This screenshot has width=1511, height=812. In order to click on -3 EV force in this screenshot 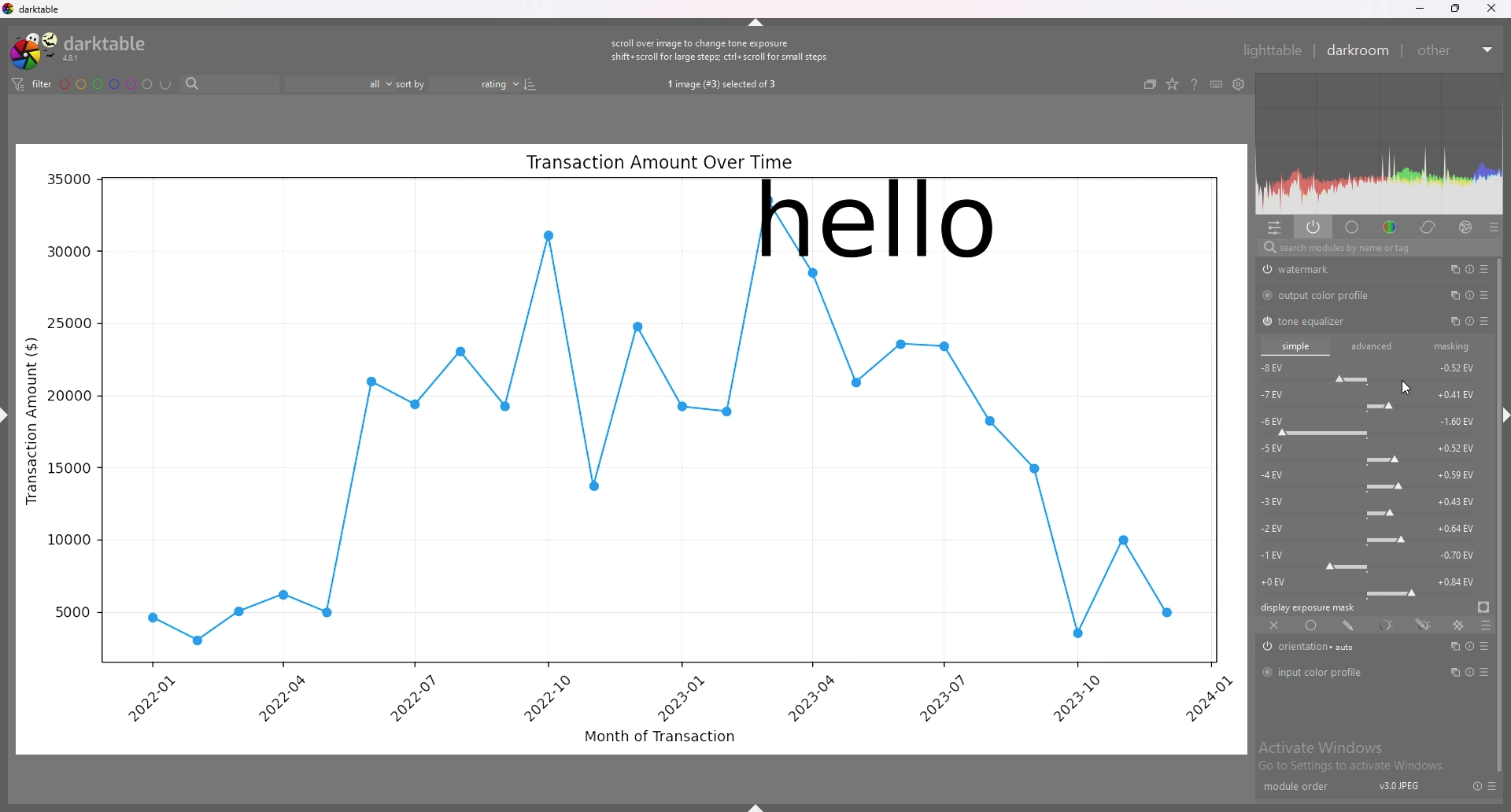, I will do `click(1375, 505)`.